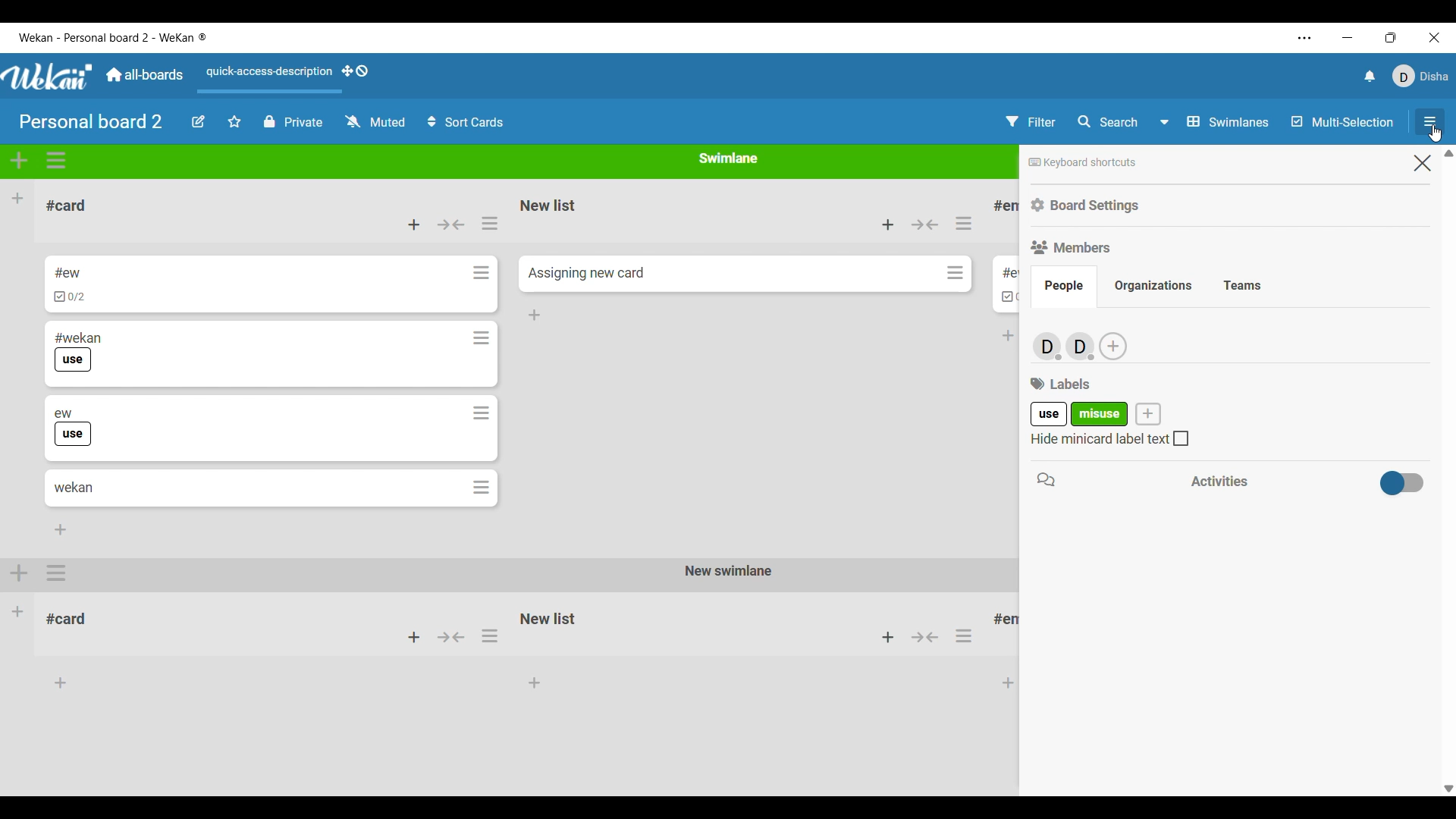  What do you see at coordinates (1391, 38) in the screenshot?
I see `Show interface in a smaller tab` at bounding box center [1391, 38].